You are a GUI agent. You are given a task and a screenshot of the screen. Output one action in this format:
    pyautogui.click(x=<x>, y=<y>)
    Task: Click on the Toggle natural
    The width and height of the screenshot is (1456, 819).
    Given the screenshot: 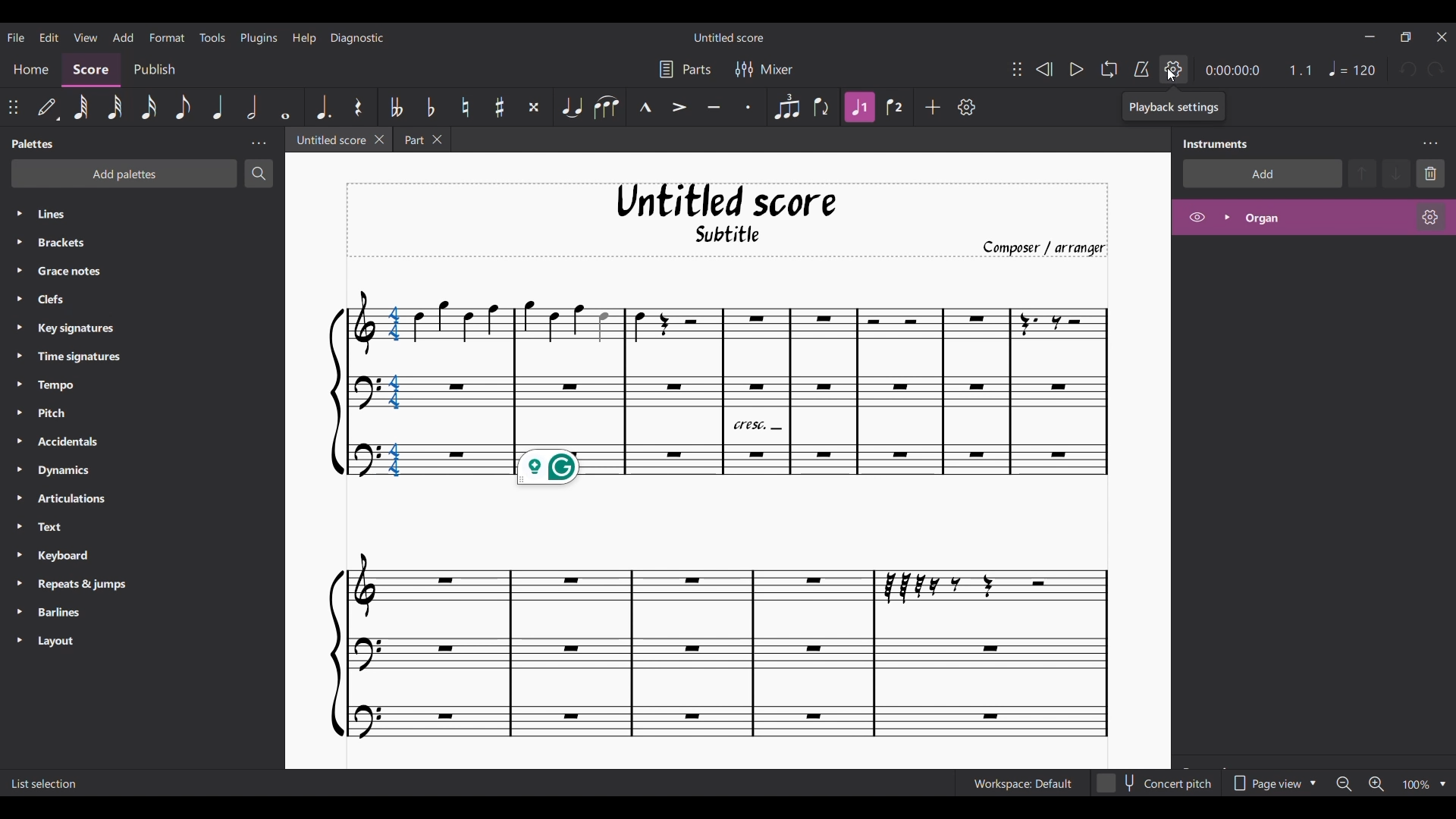 What is the action you would take?
    pyautogui.click(x=466, y=107)
    